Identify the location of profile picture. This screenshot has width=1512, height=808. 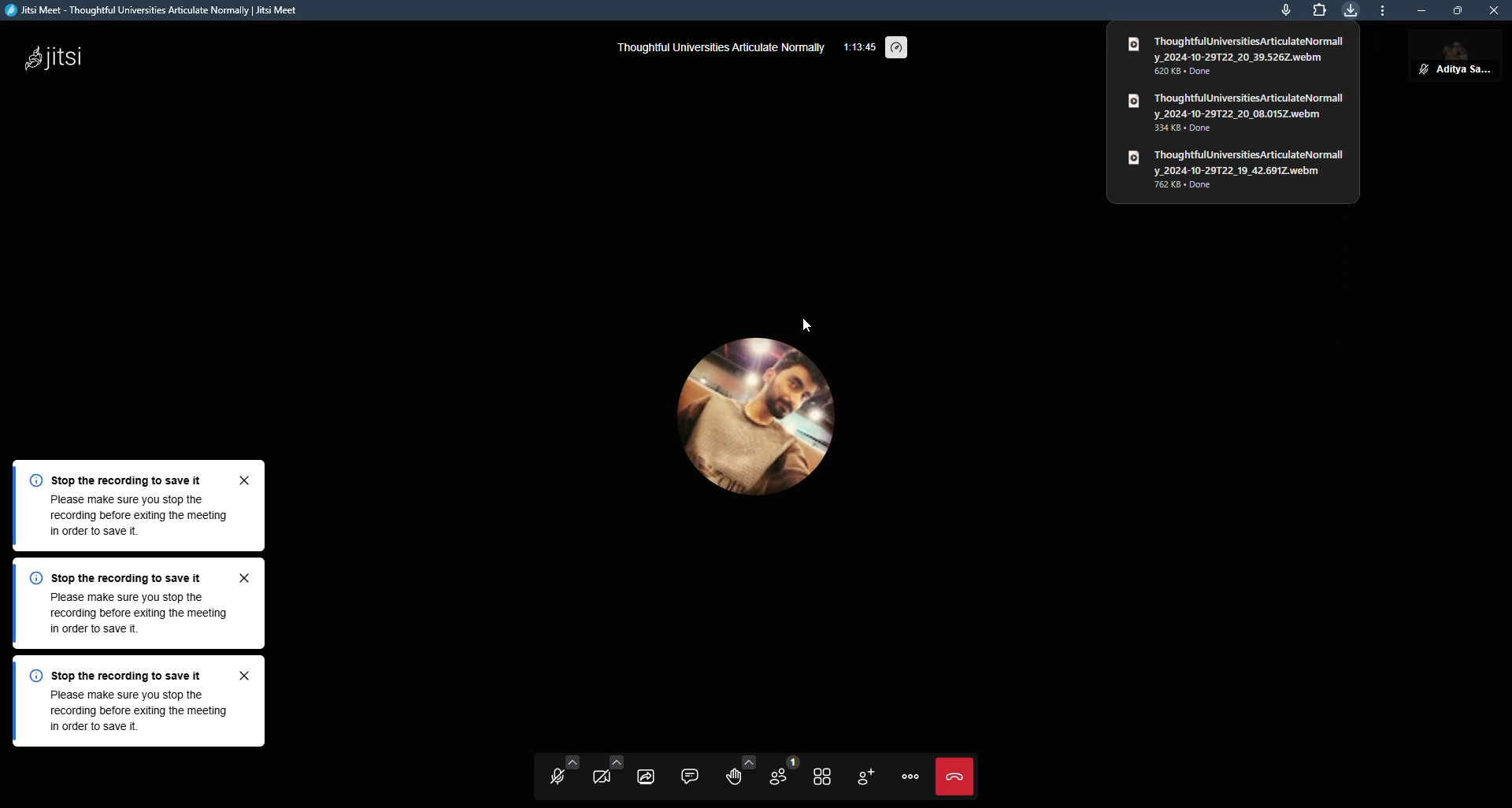
(756, 428).